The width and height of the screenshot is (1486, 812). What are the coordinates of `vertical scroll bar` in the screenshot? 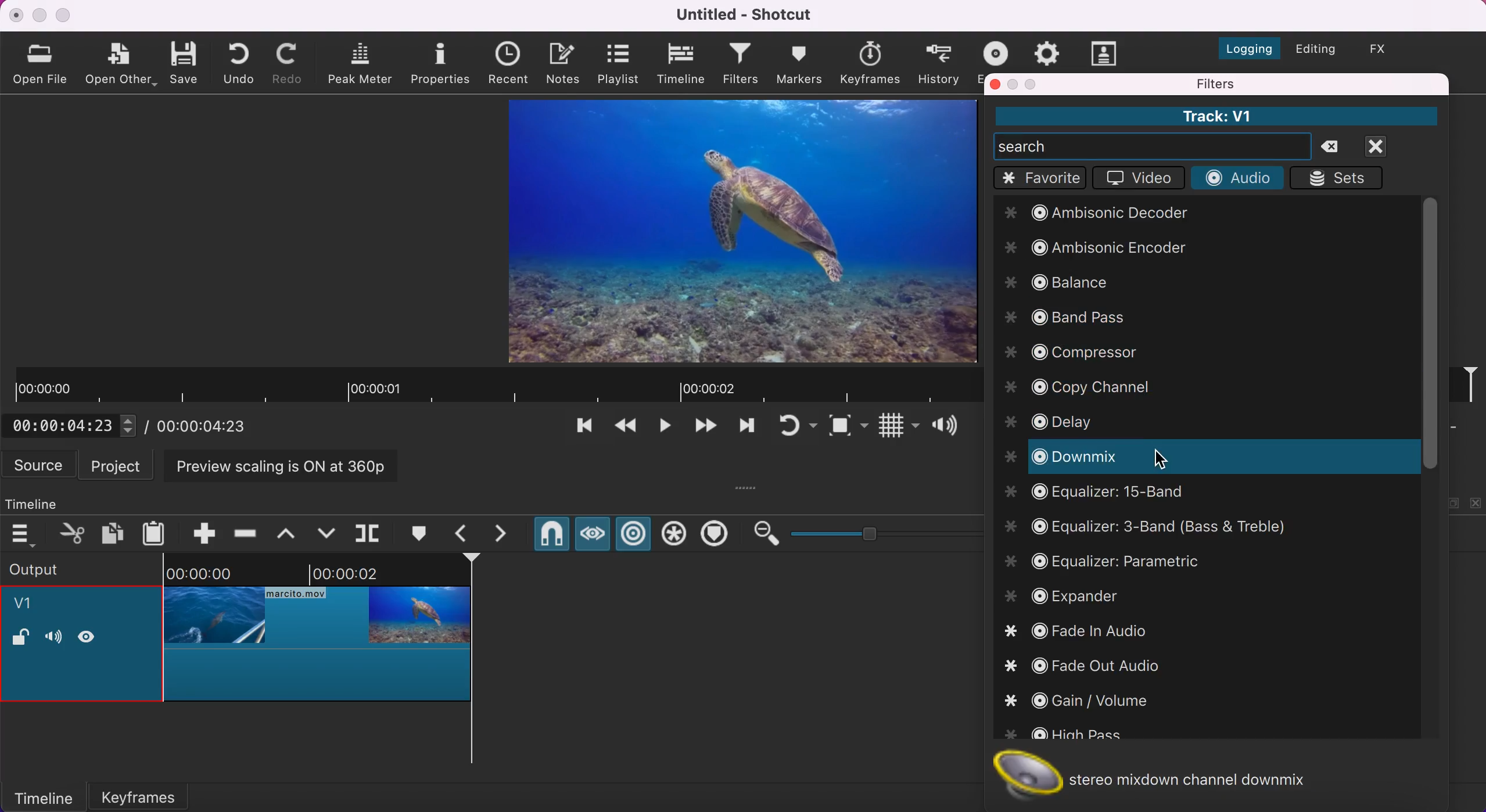 It's located at (1428, 333).